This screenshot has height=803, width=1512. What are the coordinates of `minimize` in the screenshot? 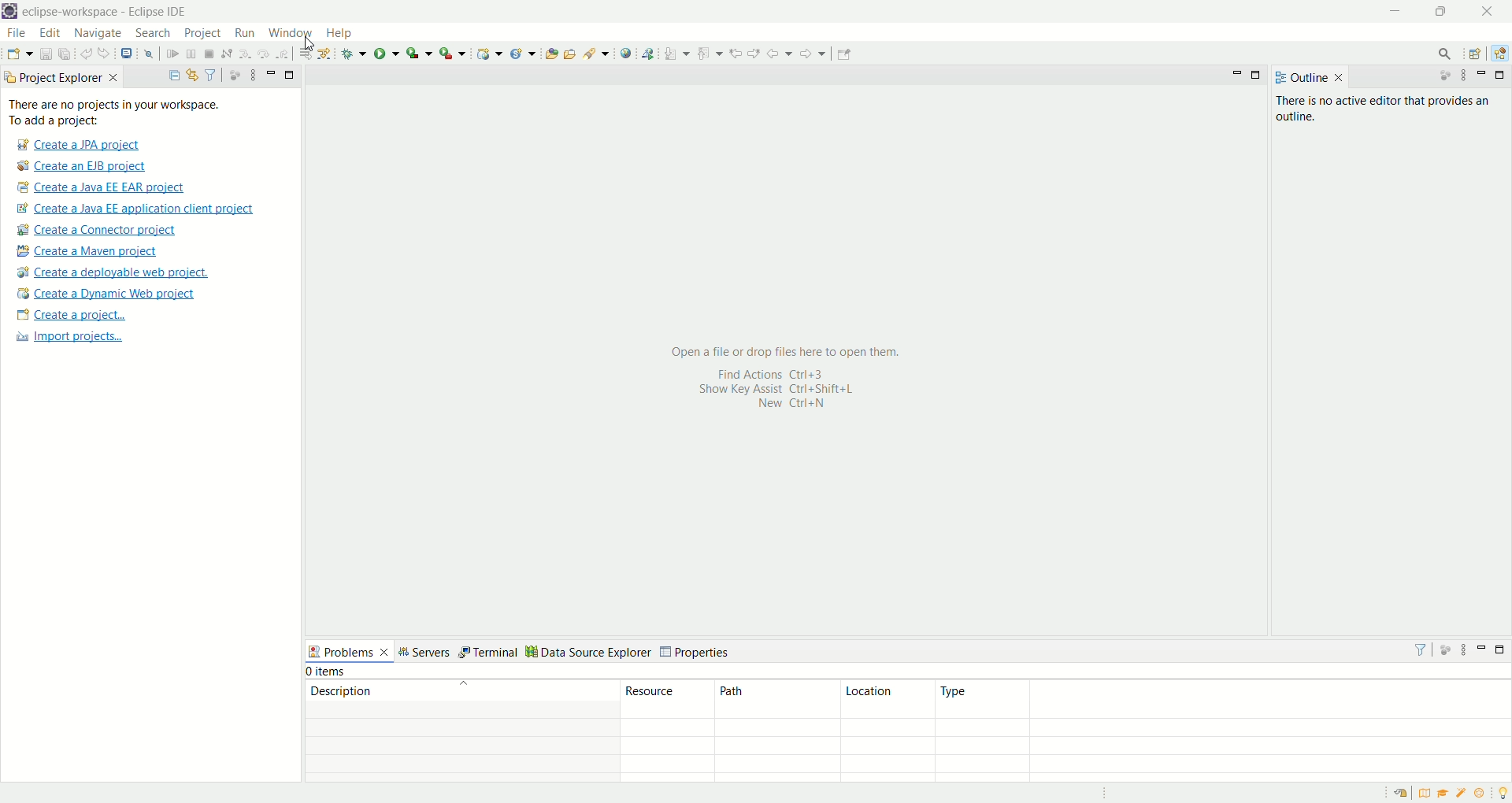 It's located at (1393, 12).